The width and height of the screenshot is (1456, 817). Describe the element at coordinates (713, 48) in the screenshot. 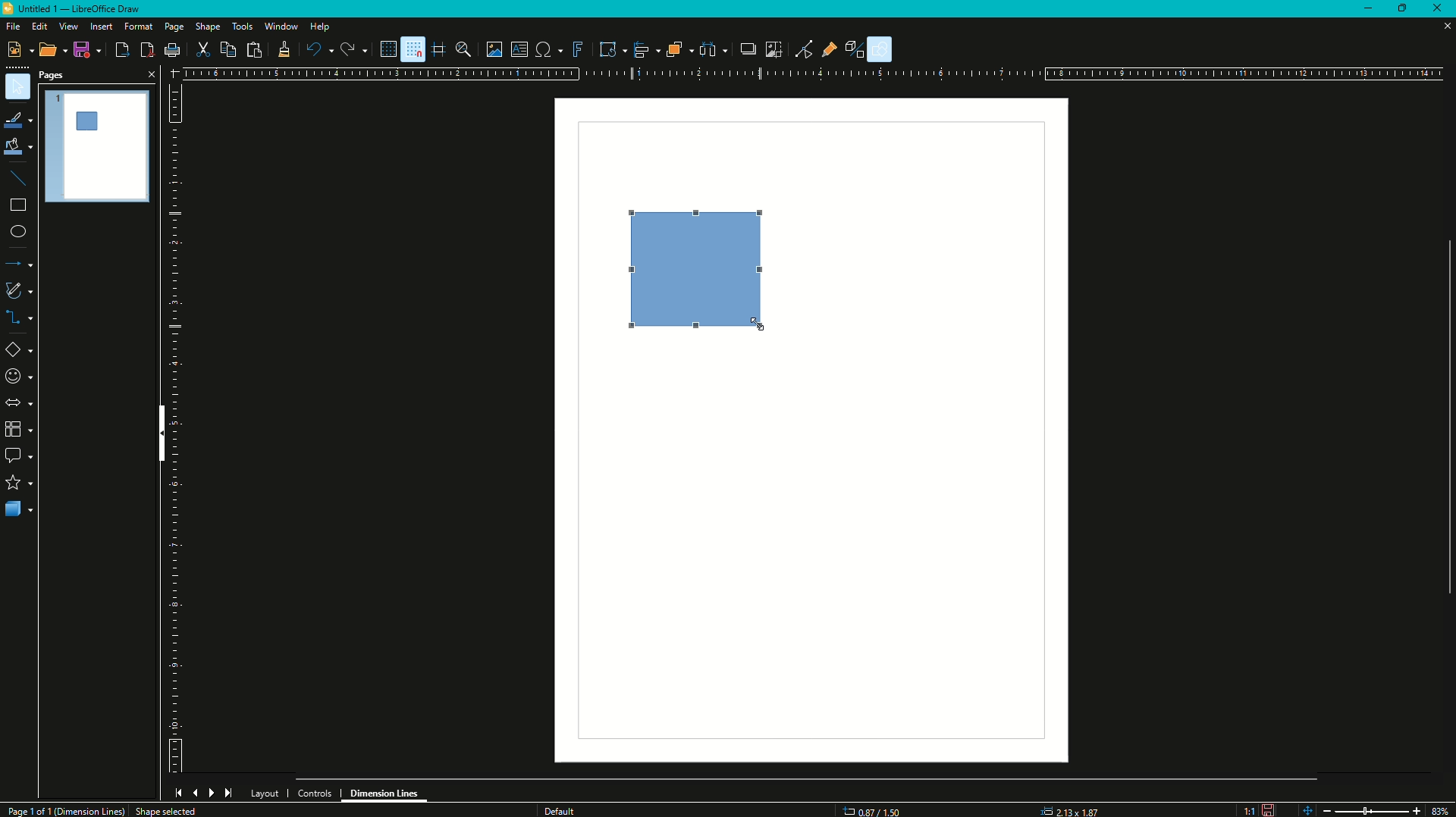

I see `Select at least three objects` at that location.